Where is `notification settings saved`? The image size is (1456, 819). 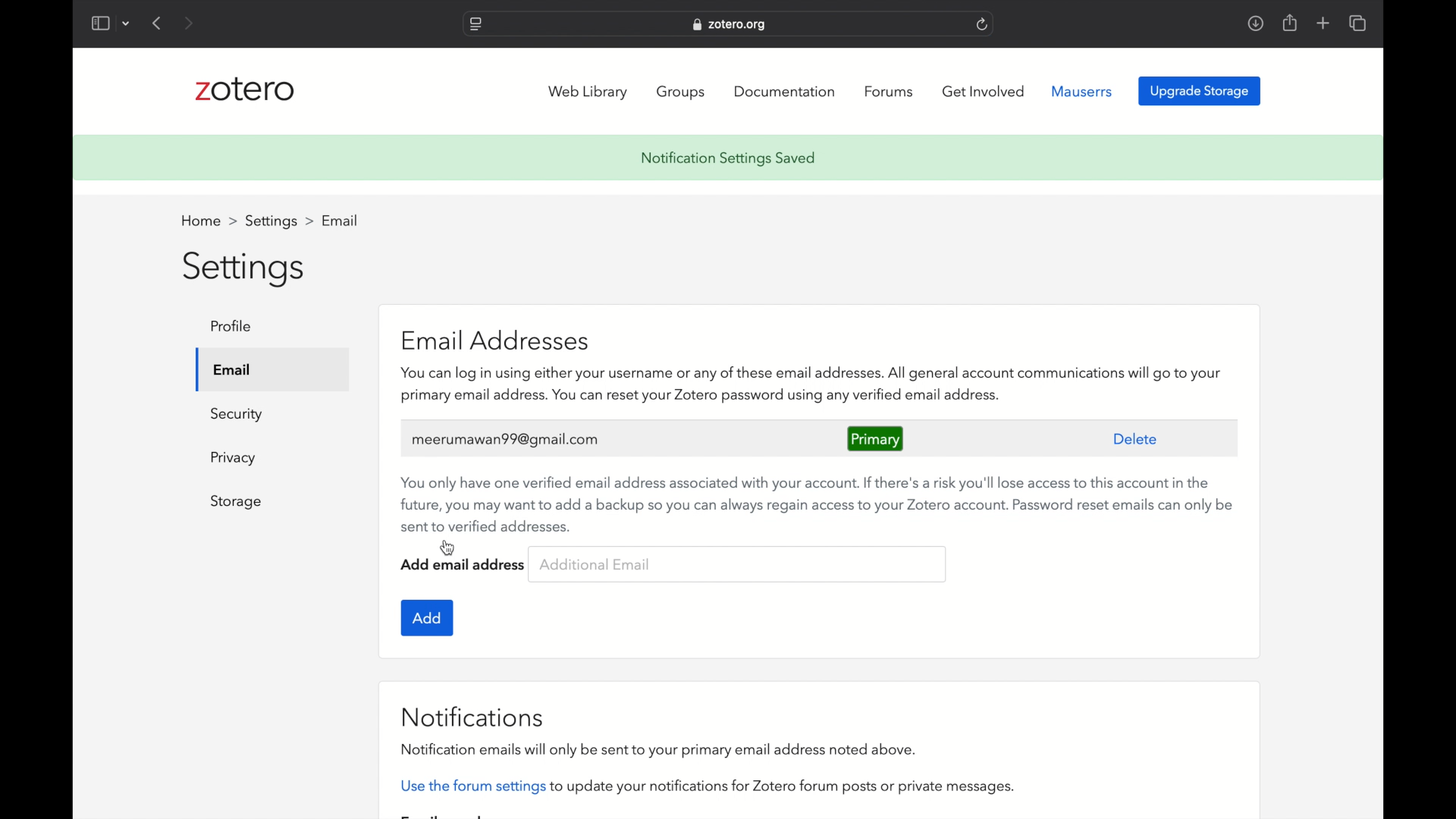
notification settings saved is located at coordinates (728, 159).